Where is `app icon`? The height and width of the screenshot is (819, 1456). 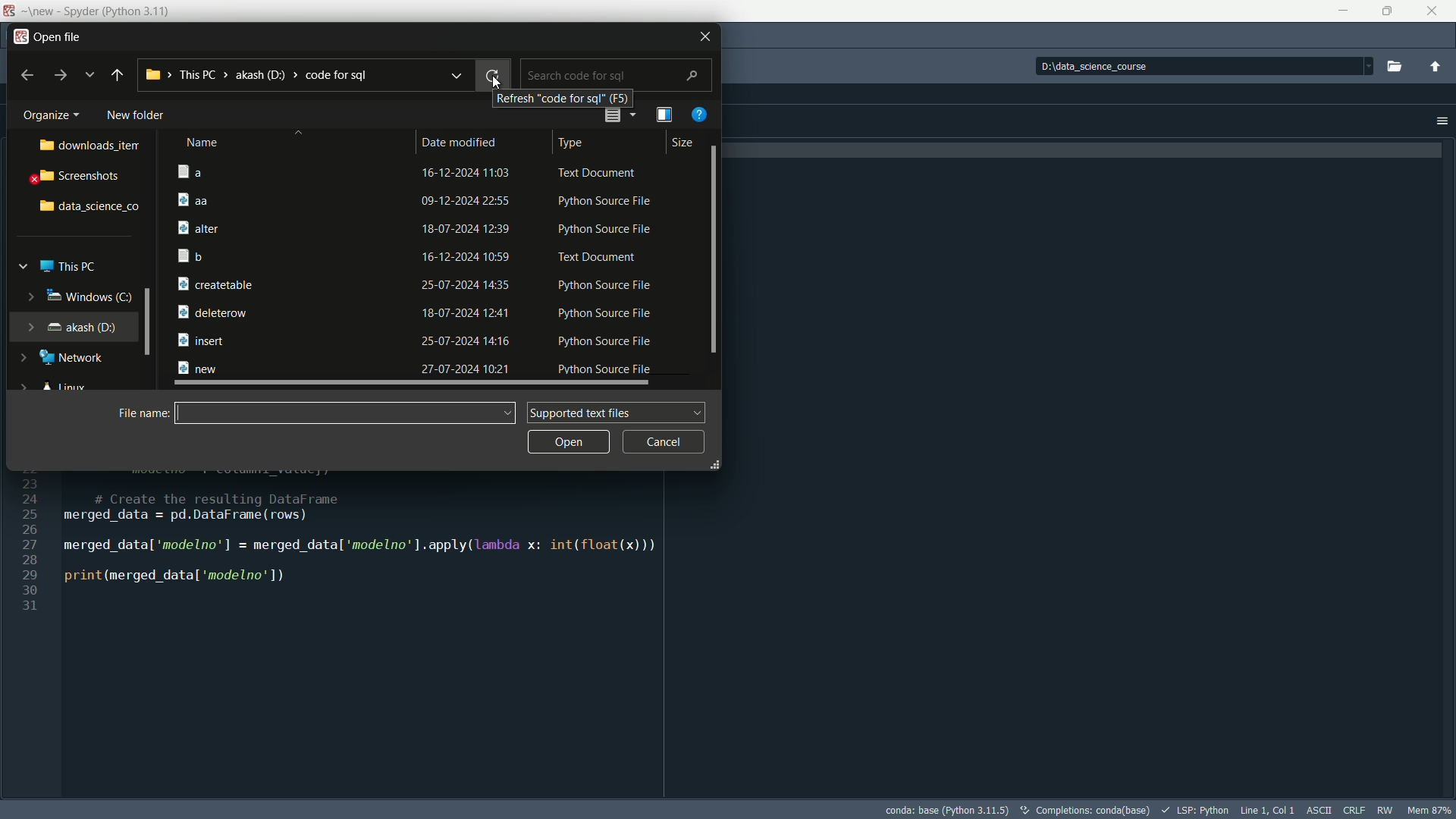
app icon is located at coordinates (19, 37).